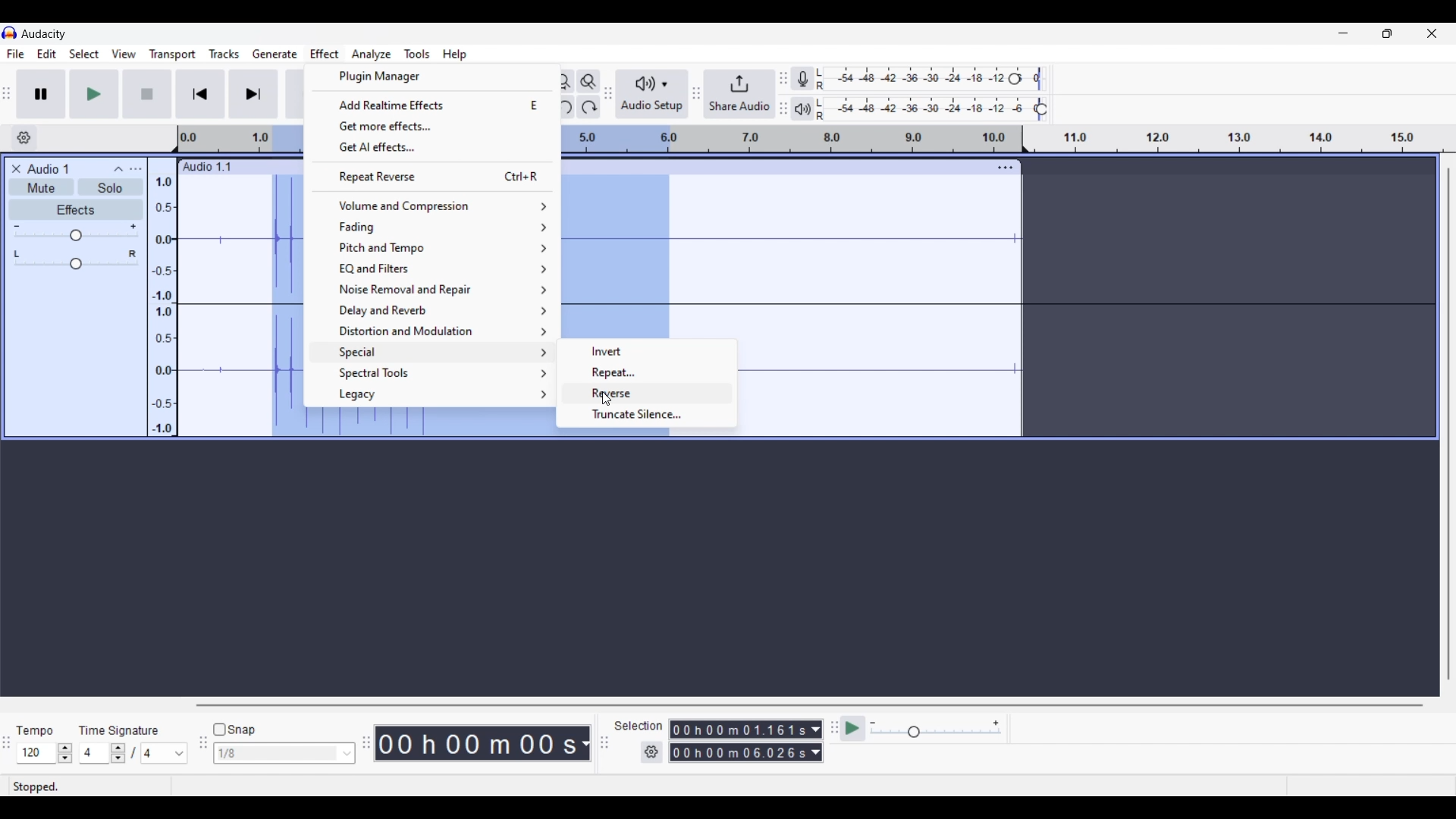  I want to click on Spectral tool options, so click(433, 373).